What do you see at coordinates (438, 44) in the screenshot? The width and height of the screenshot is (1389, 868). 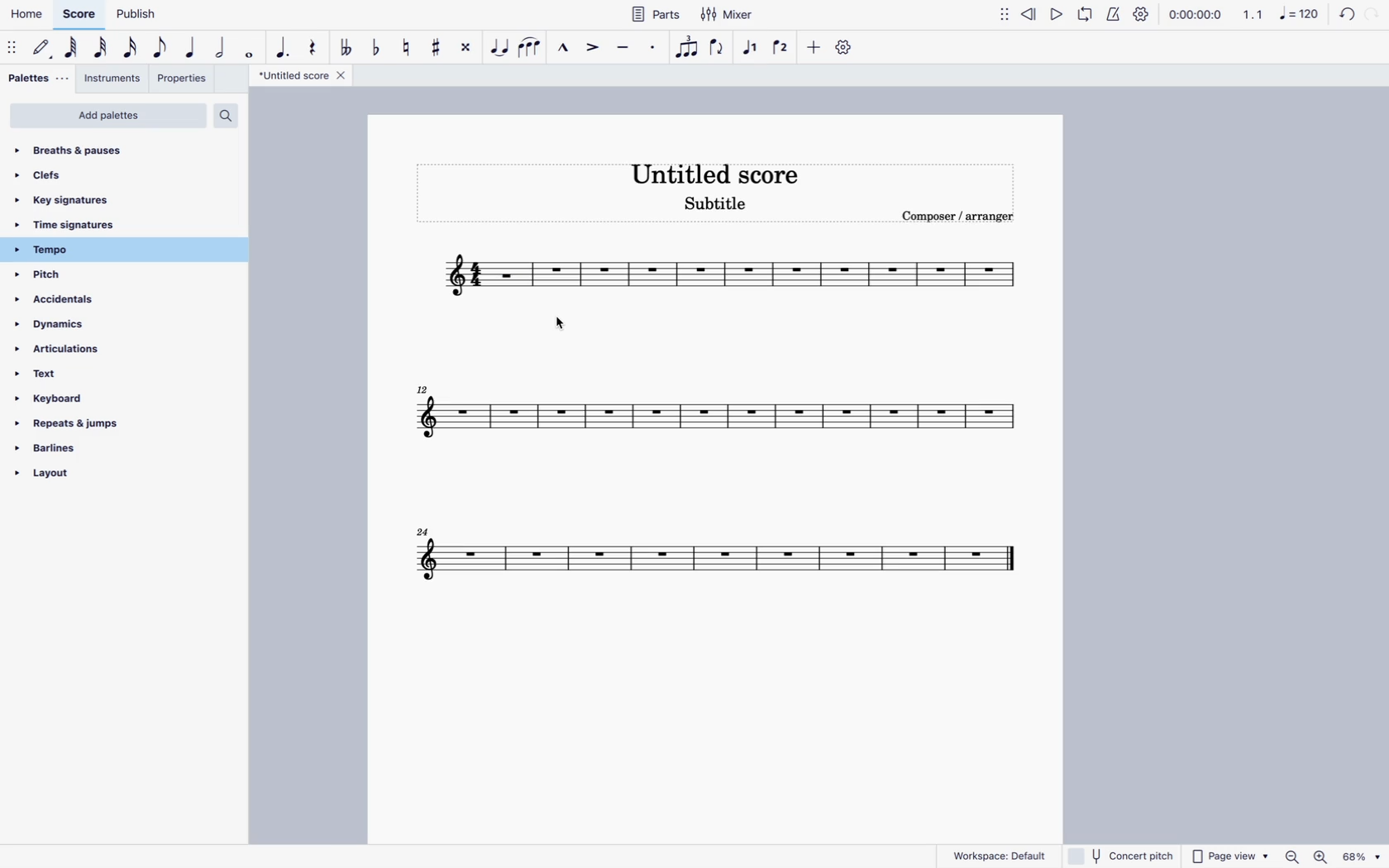 I see `toggle sharp` at bounding box center [438, 44].